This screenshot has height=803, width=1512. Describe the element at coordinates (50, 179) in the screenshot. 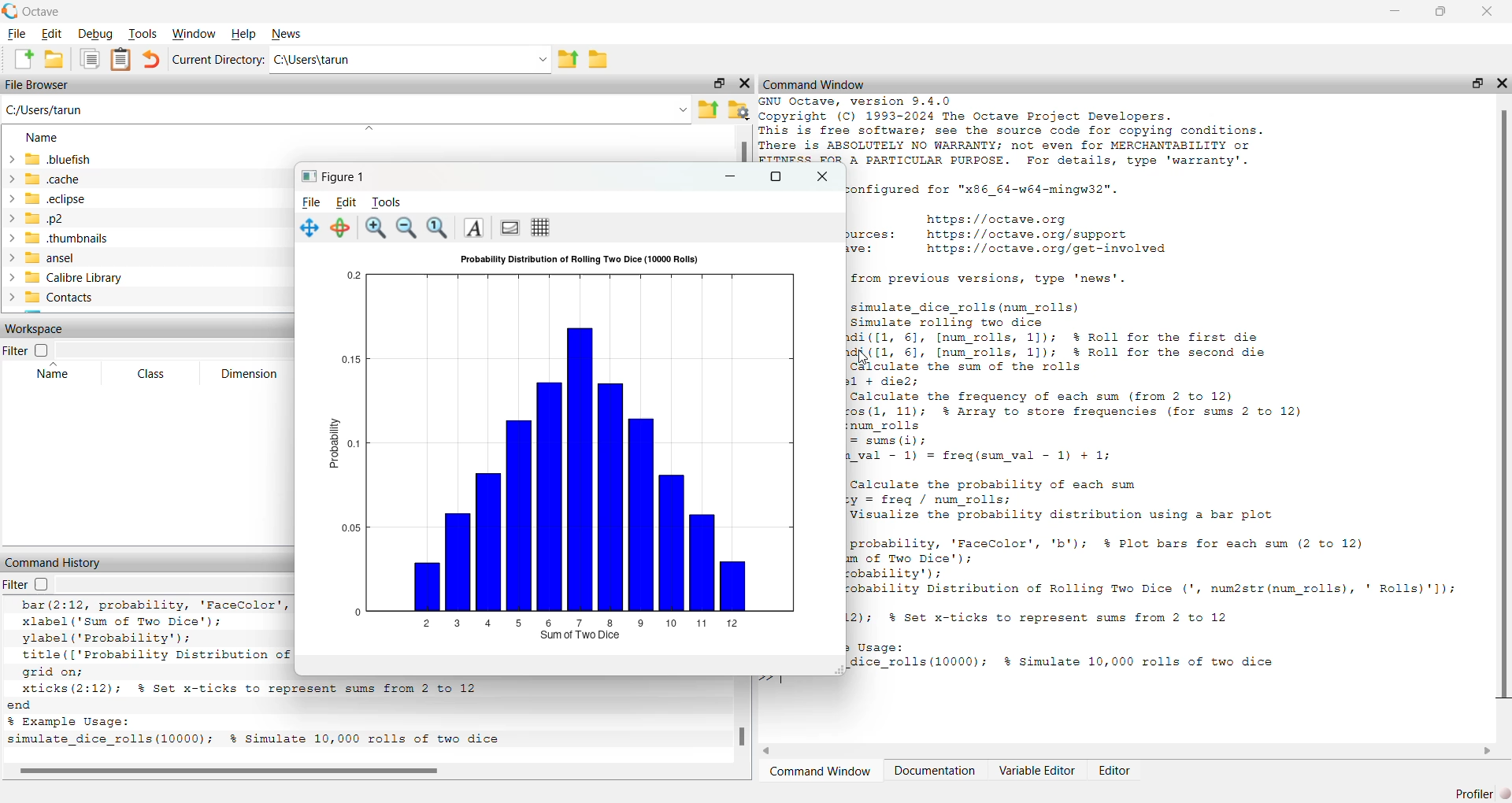

I see `«cache` at that location.